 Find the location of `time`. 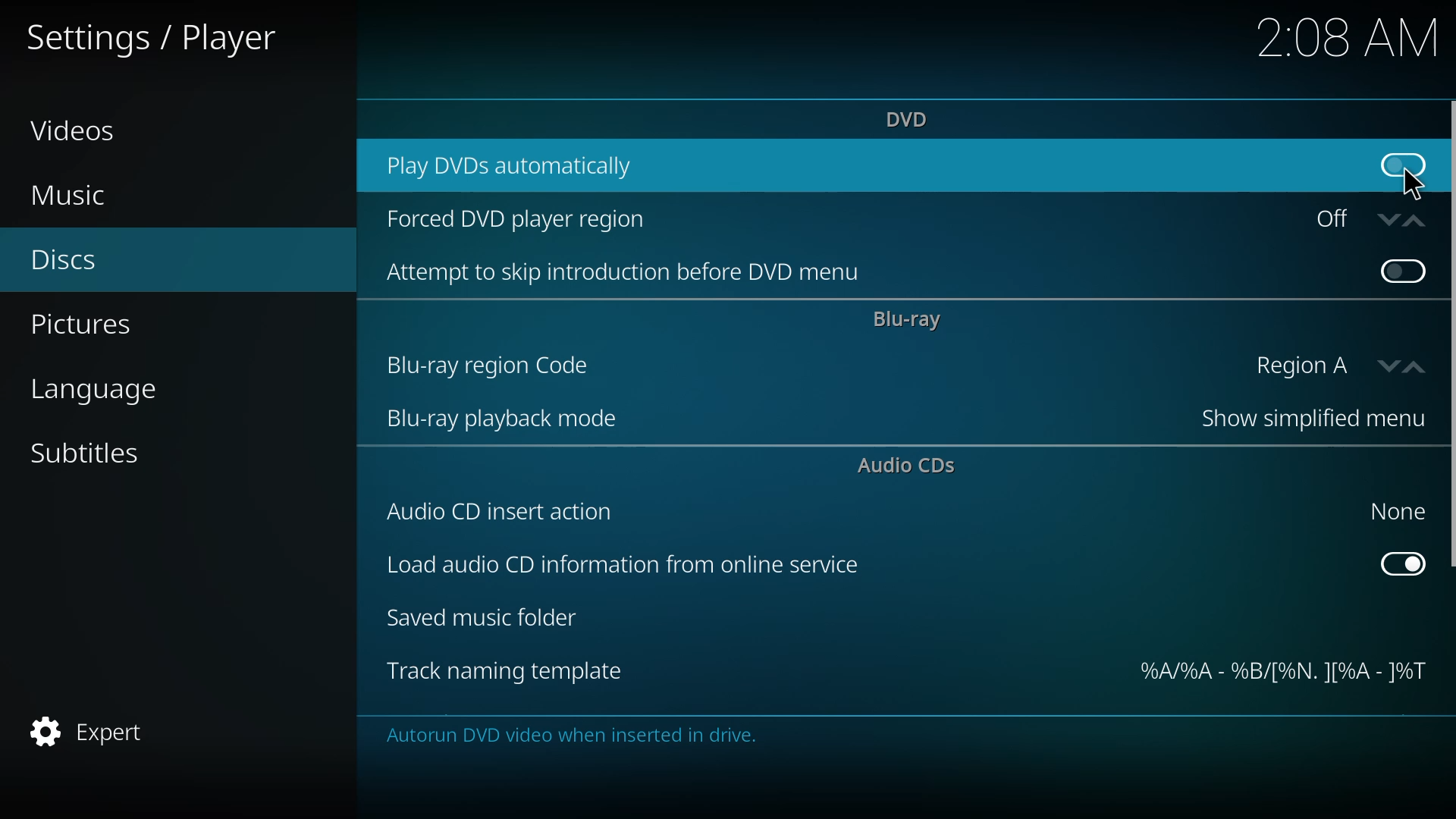

time is located at coordinates (1348, 36).